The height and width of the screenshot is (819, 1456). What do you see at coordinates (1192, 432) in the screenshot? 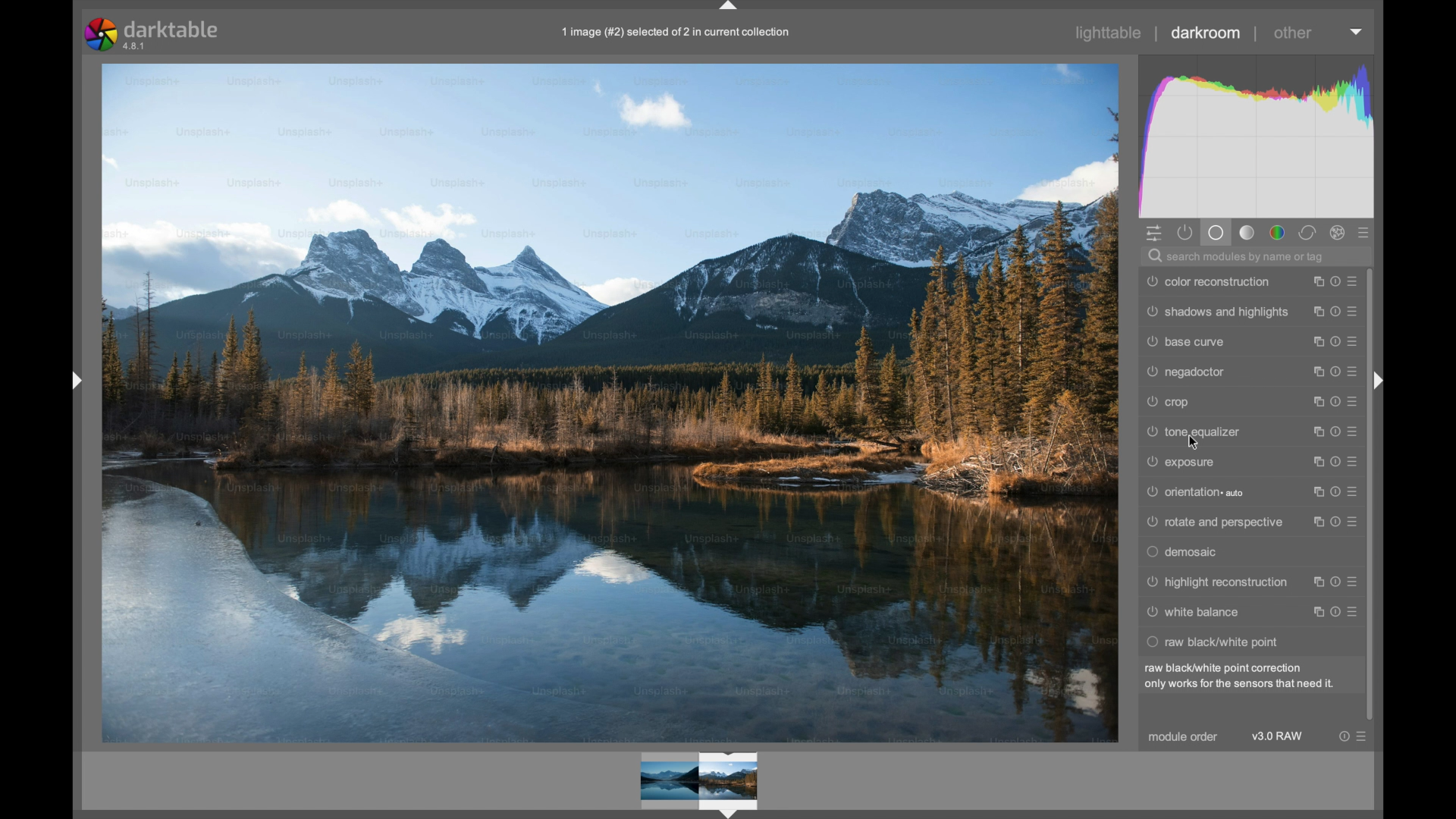
I see `tone equalizer` at bounding box center [1192, 432].